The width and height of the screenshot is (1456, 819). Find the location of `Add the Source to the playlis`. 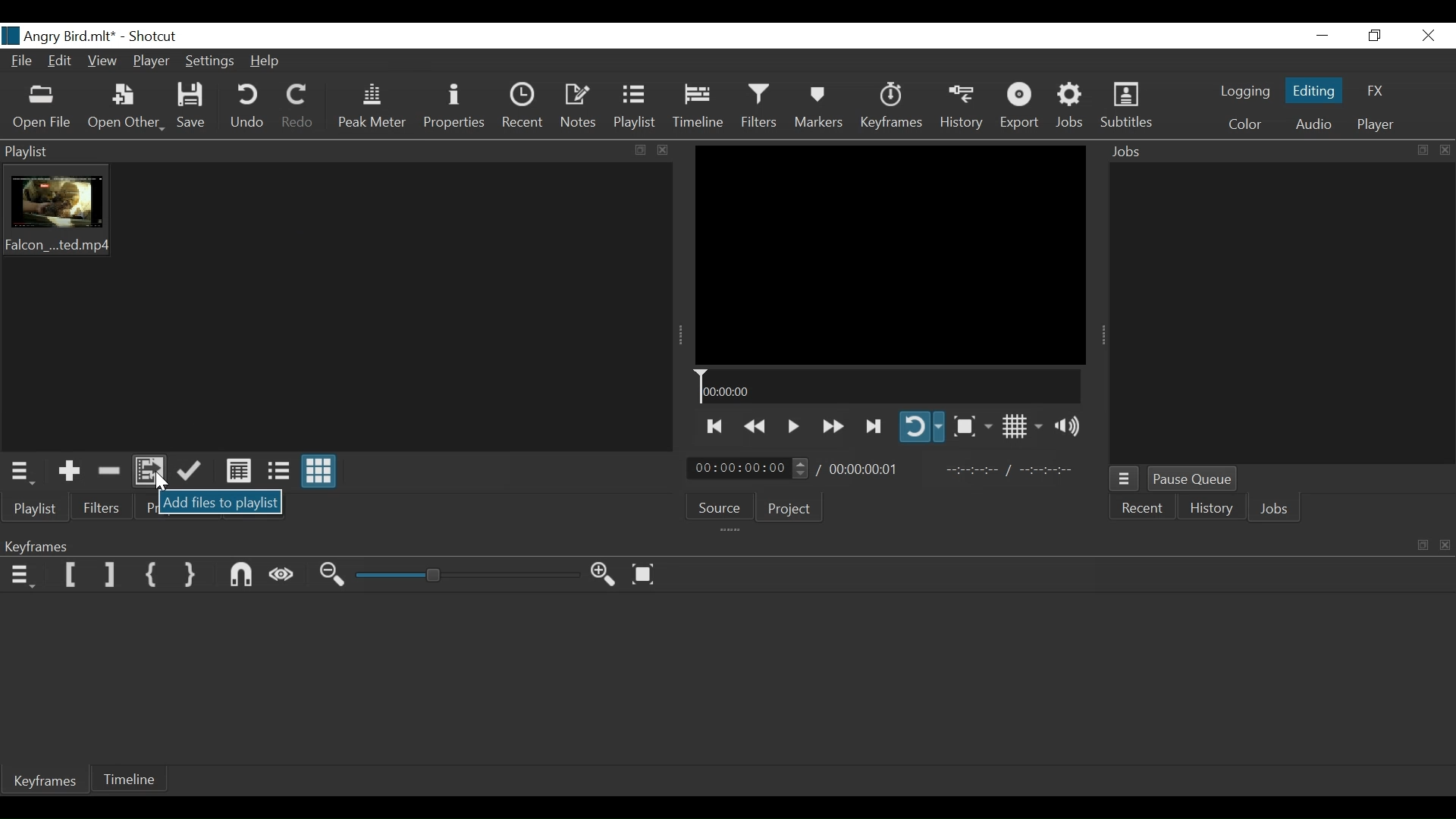

Add the Source to the playlis is located at coordinates (70, 470).